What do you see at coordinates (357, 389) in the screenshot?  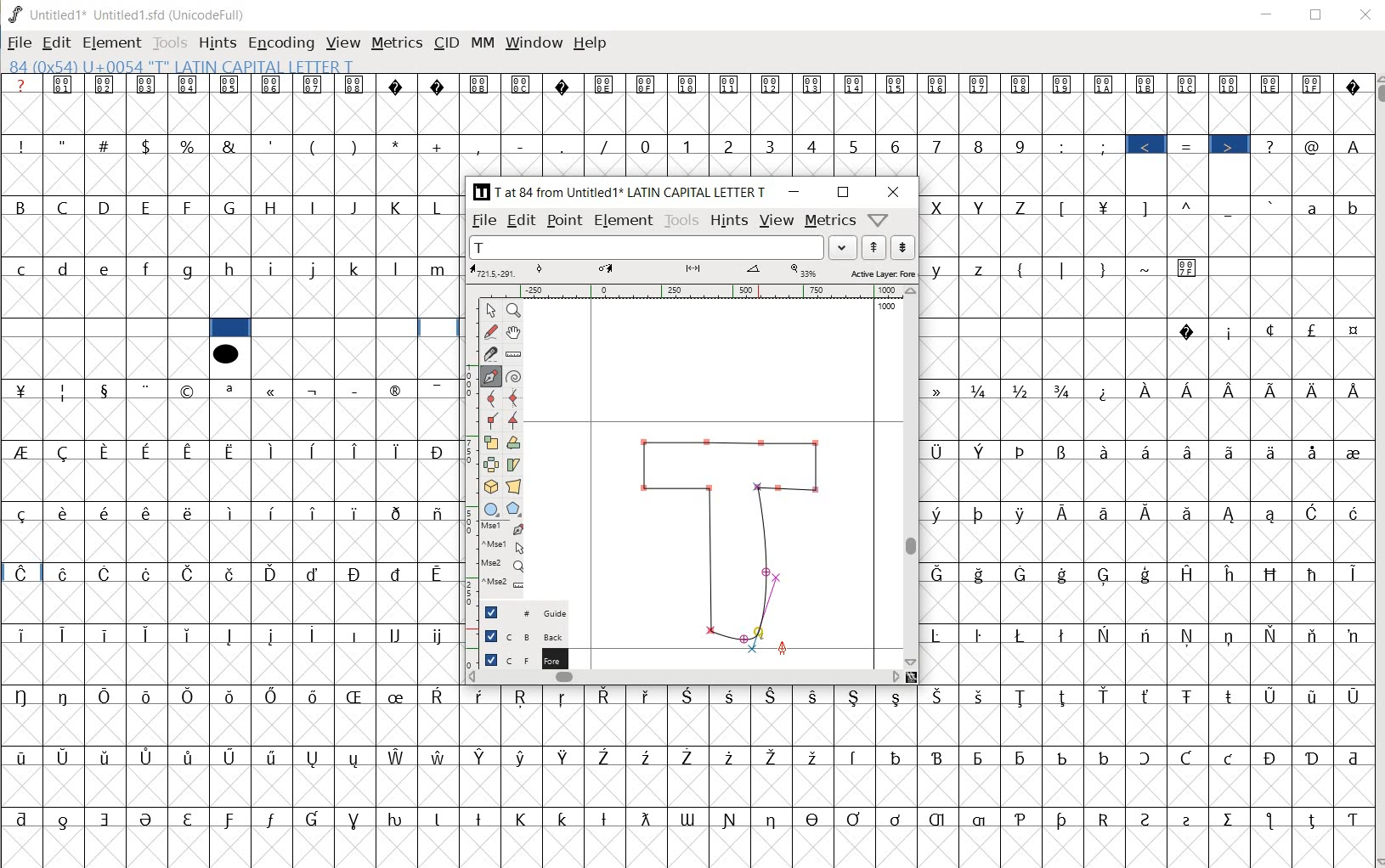 I see `Symbol` at bounding box center [357, 389].